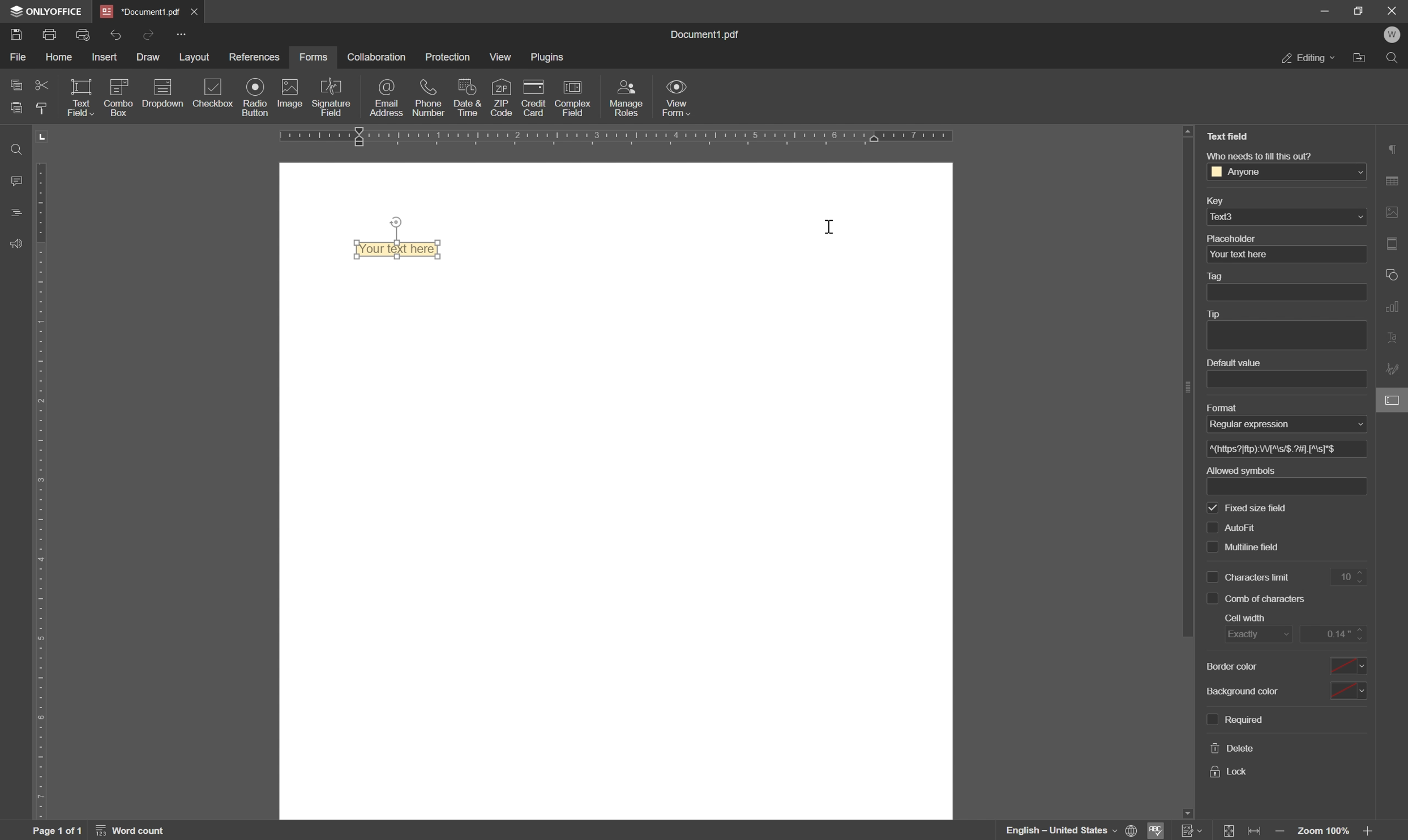 This screenshot has height=840, width=1408. I want to click on lock, so click(1230, 772).